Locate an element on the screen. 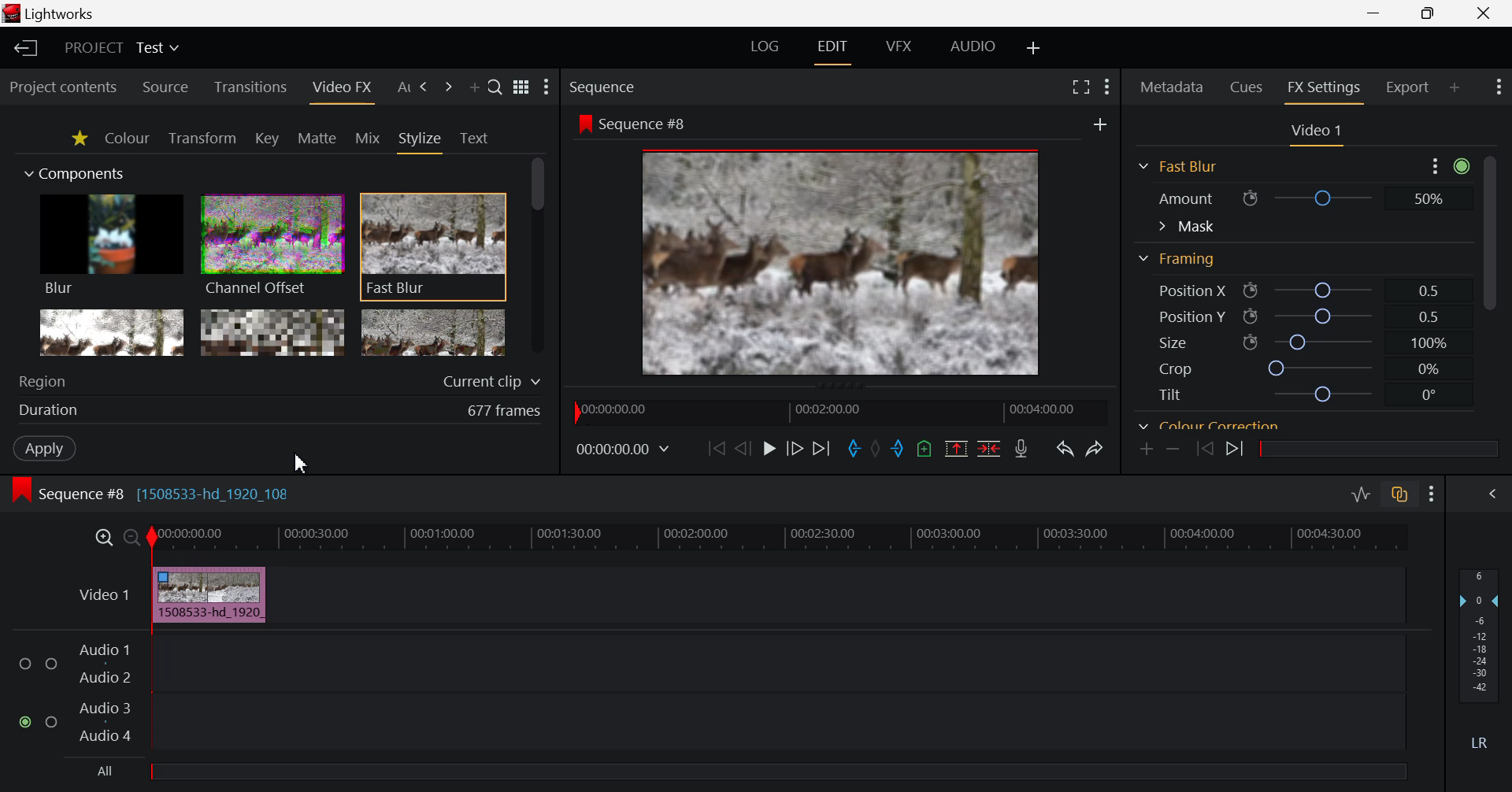 Image resolution: width=1512 pixels, height=792 pixels. Fast Blur is located at coordinates (433, 242).